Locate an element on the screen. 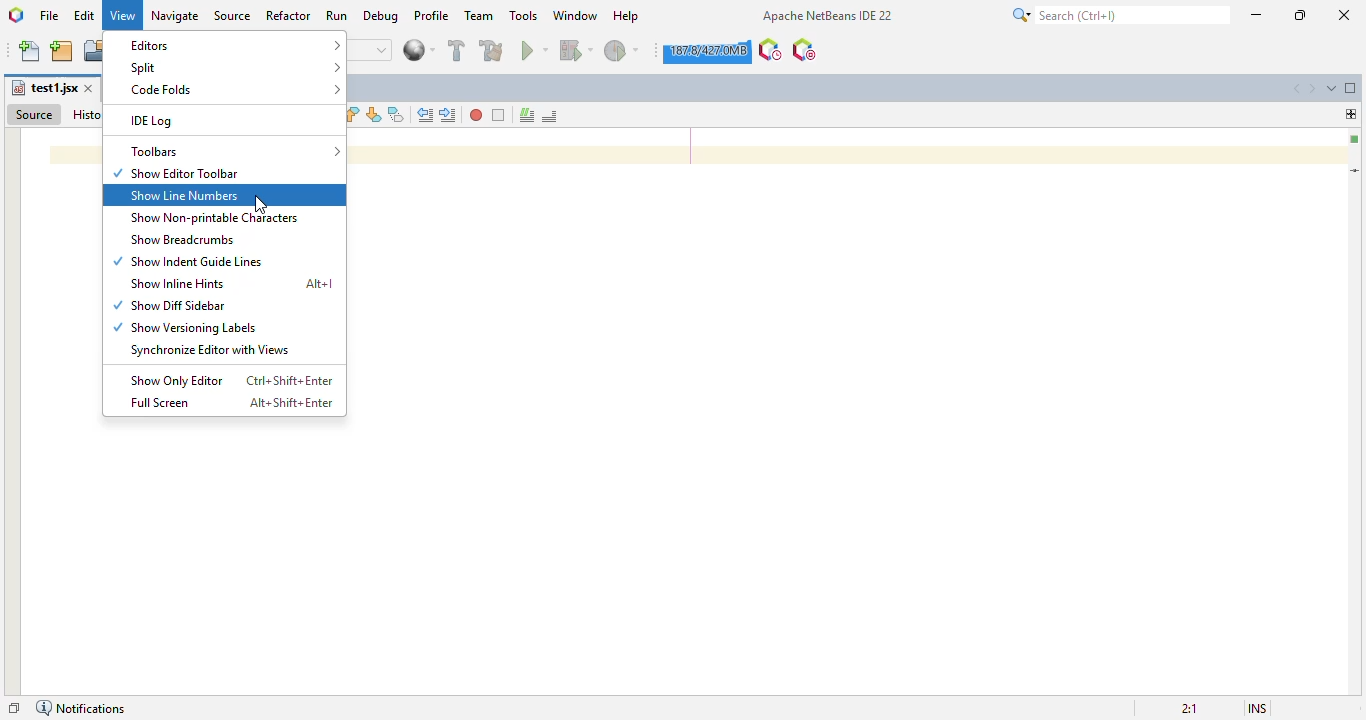 The width and height of the screenshot is (1366, 720). editors is located at coordinates (233, 45).